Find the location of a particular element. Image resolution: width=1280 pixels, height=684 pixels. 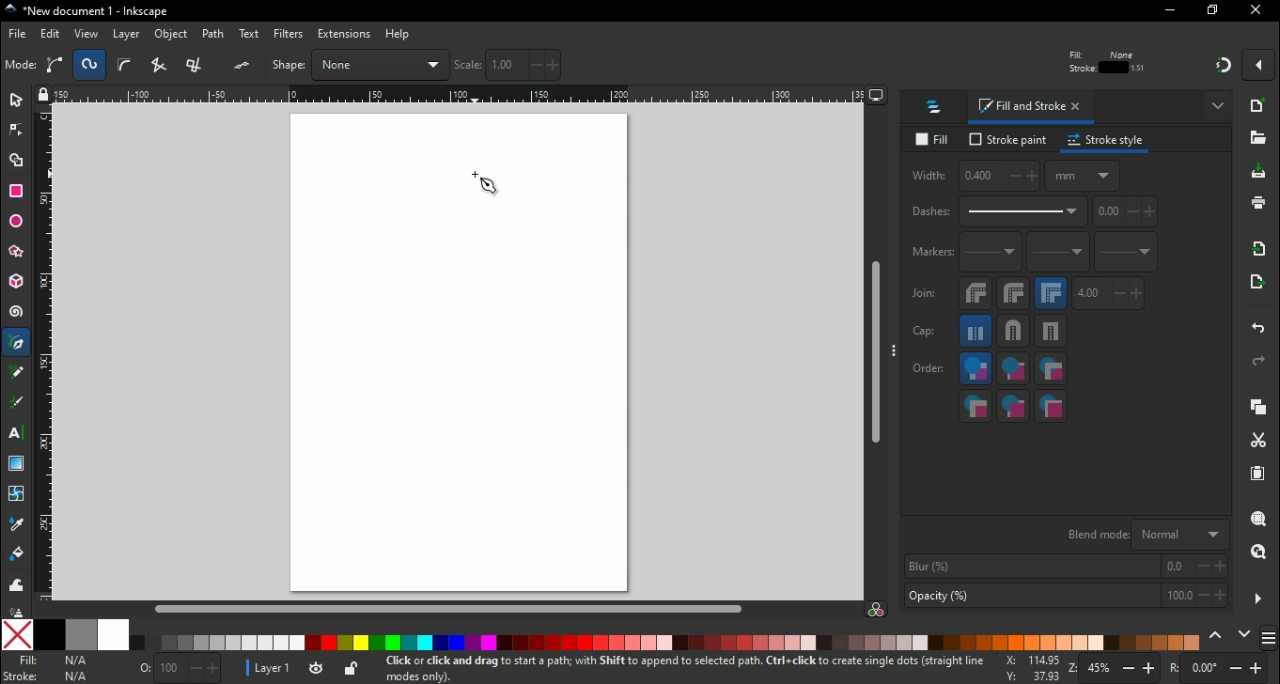

pen tool is located at coordinates (17, 350).